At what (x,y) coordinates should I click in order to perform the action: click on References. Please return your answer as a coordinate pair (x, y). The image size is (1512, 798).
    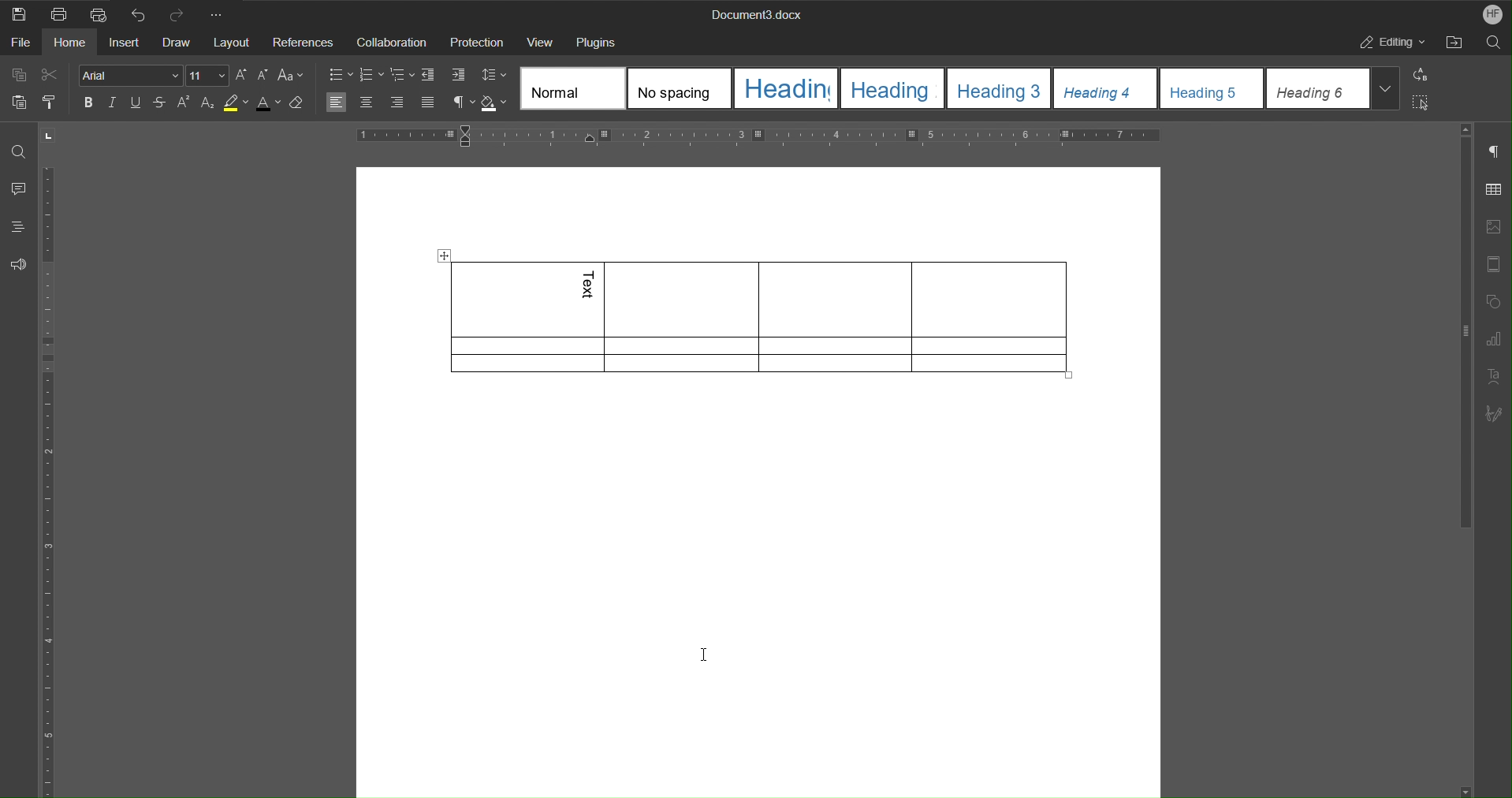
    Looking at the image, I should click on (303, 42).